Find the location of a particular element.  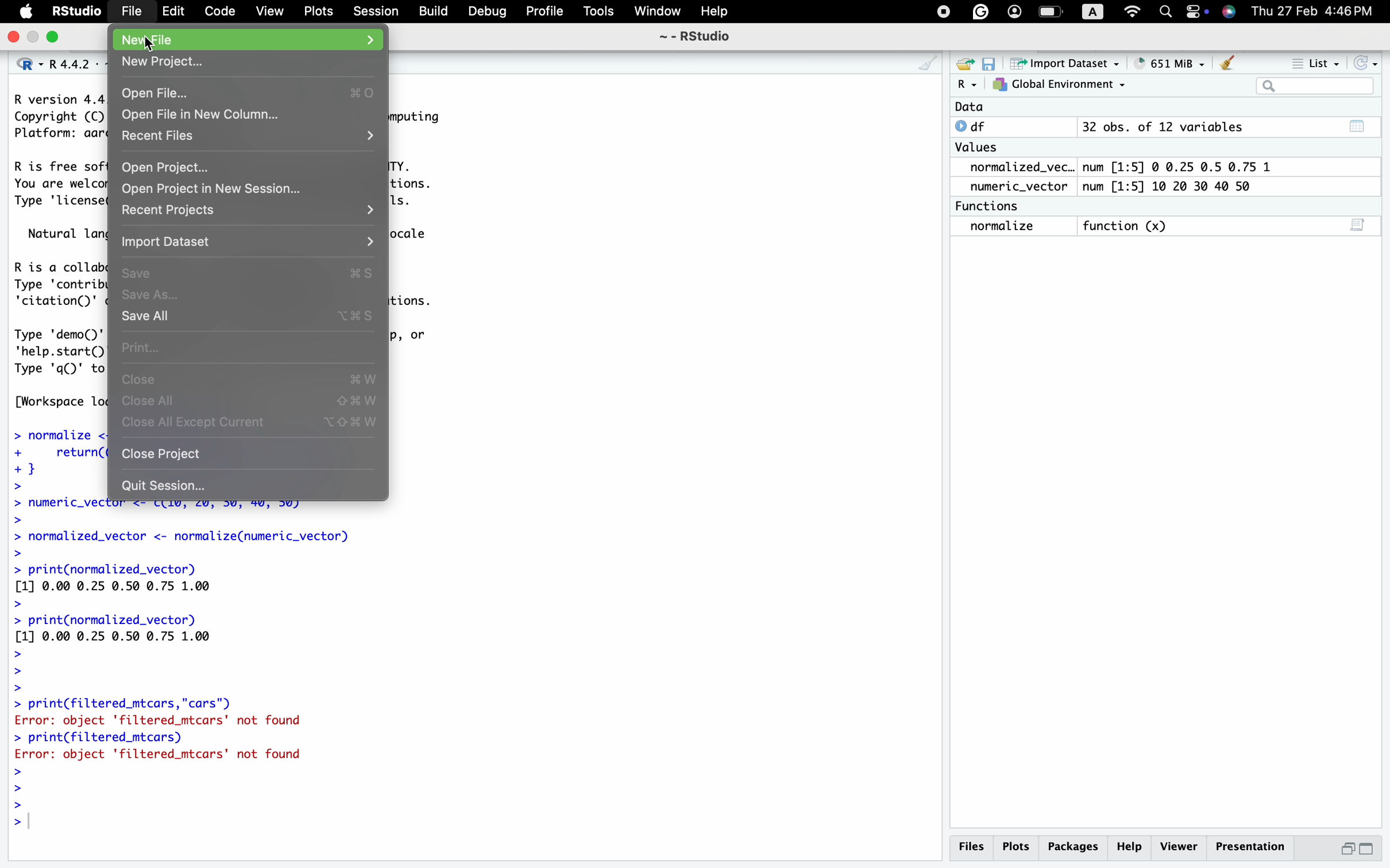

Save is located at coordinates (249, 271).